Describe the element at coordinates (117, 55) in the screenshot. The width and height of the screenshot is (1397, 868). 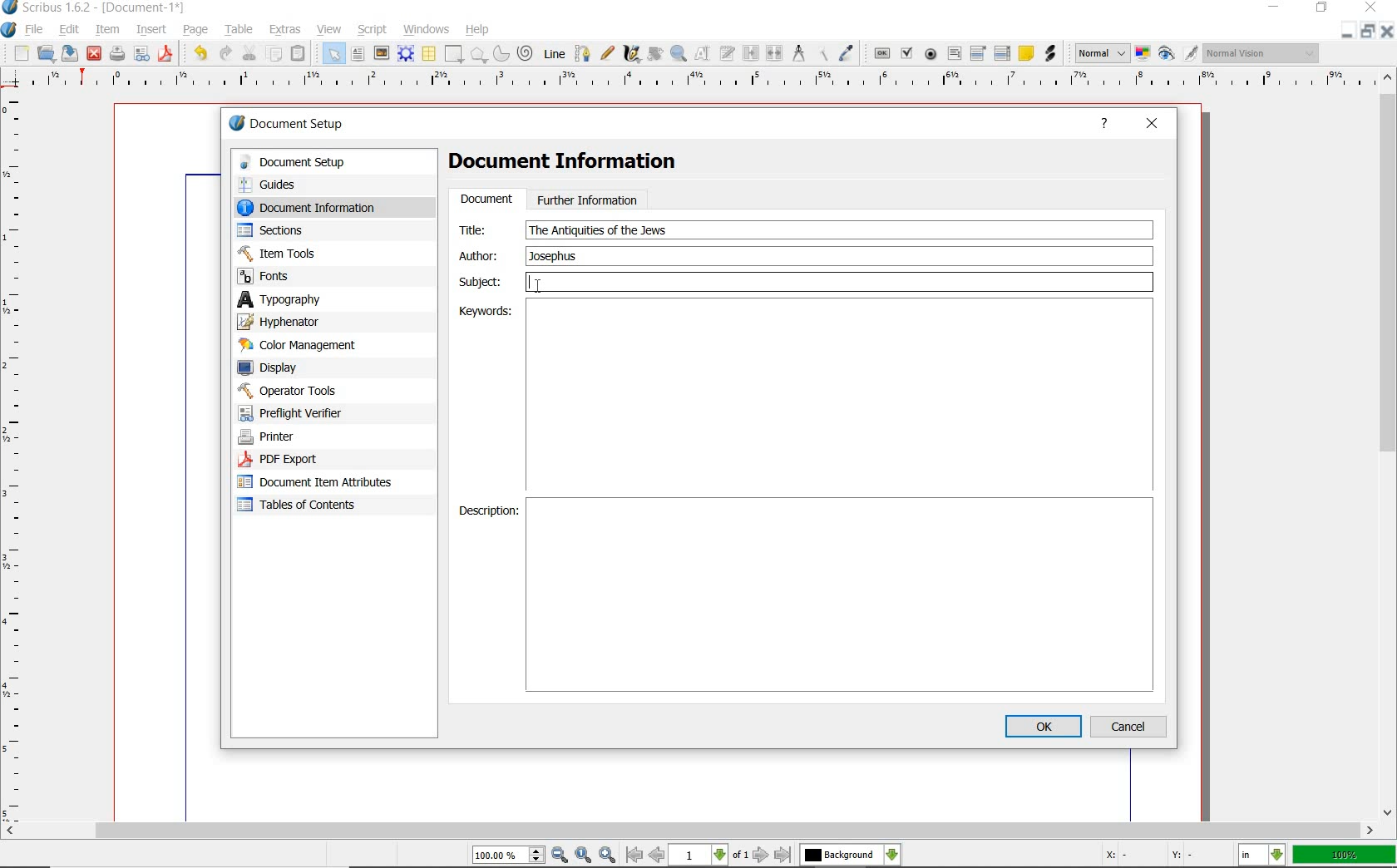
I see `print` at that location.